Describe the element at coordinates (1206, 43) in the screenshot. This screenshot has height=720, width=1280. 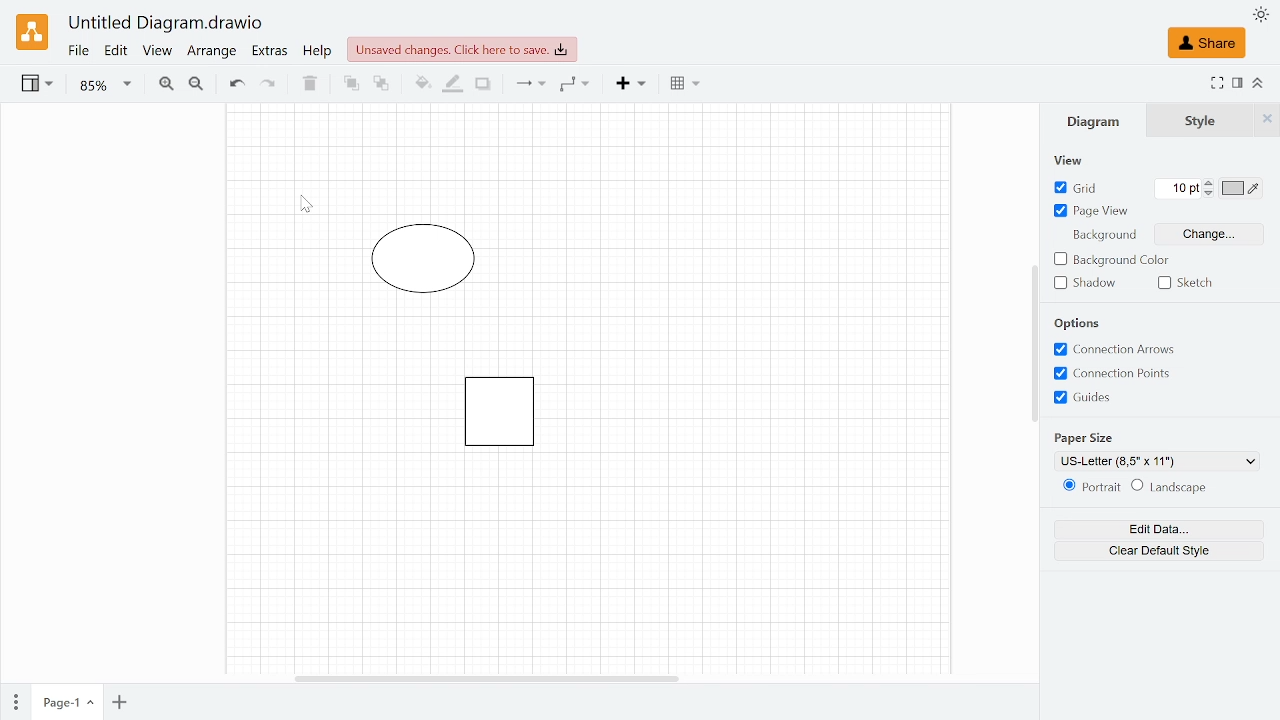
I see `Share` at that location.